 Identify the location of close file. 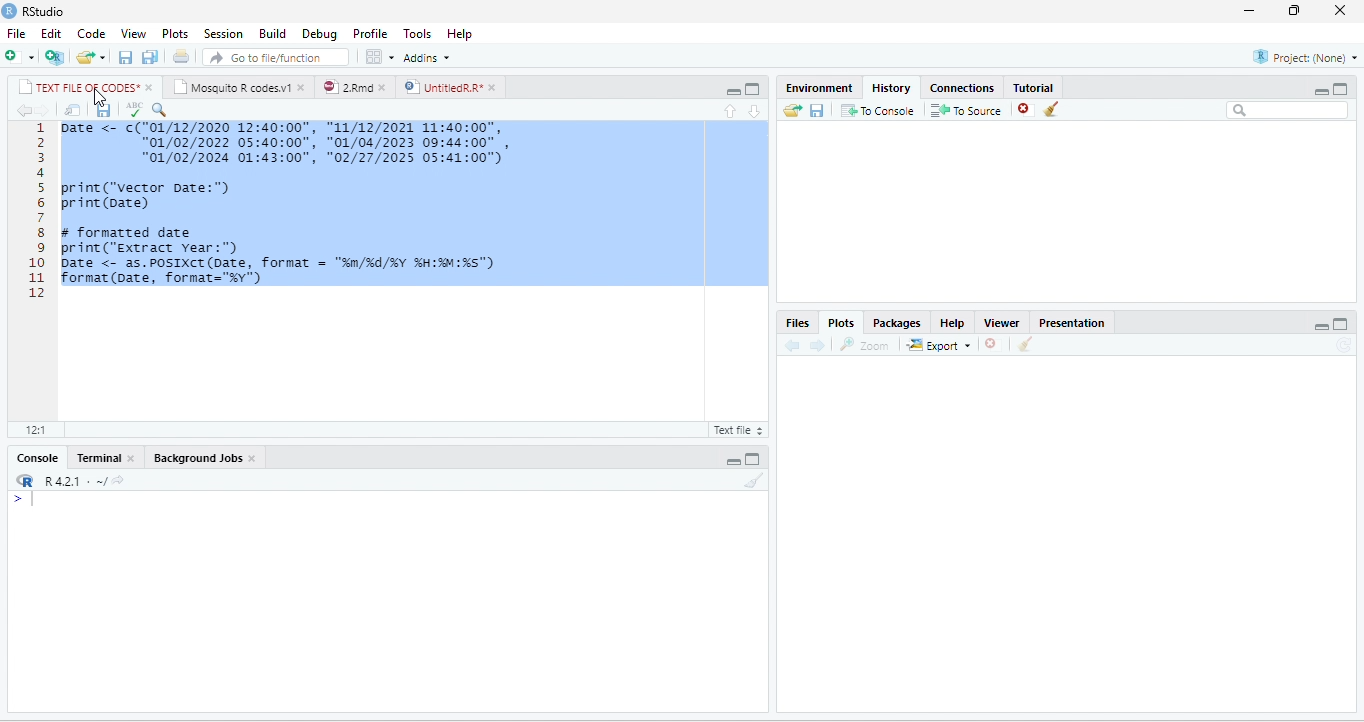
(996, 344).